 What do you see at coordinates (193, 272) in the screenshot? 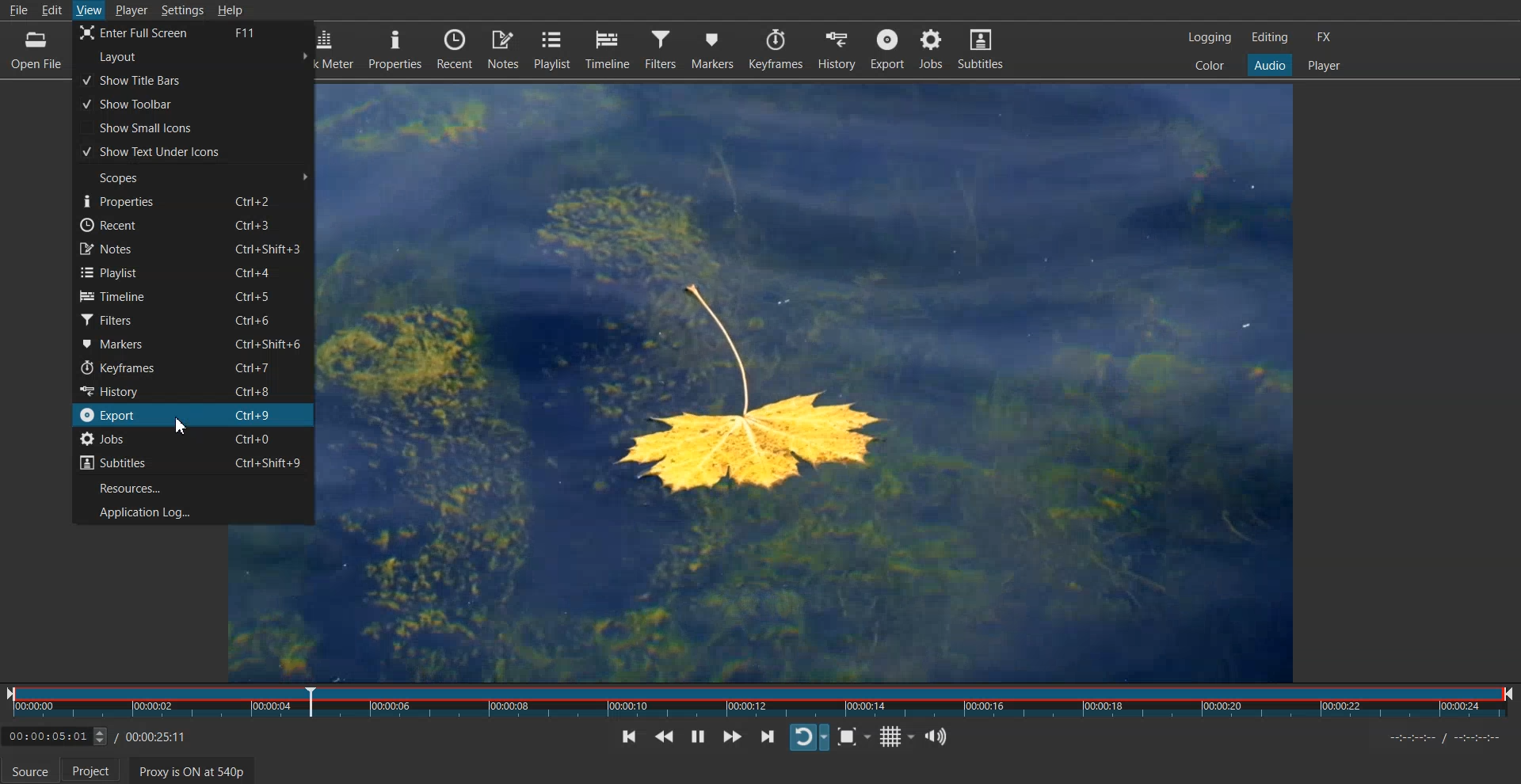
I see `Playlist` at bounding box center [193, 272].